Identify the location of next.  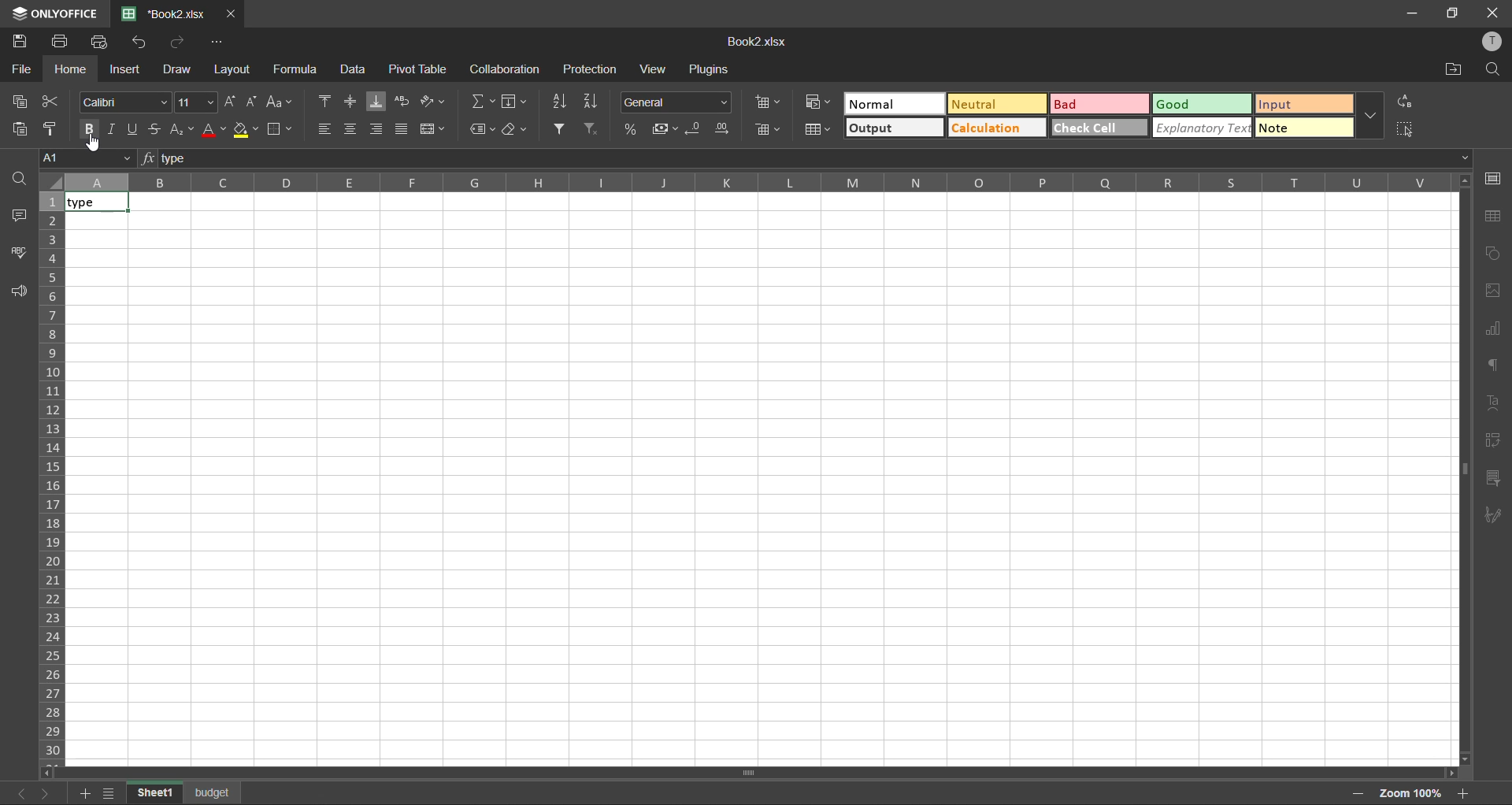
(43, 792).